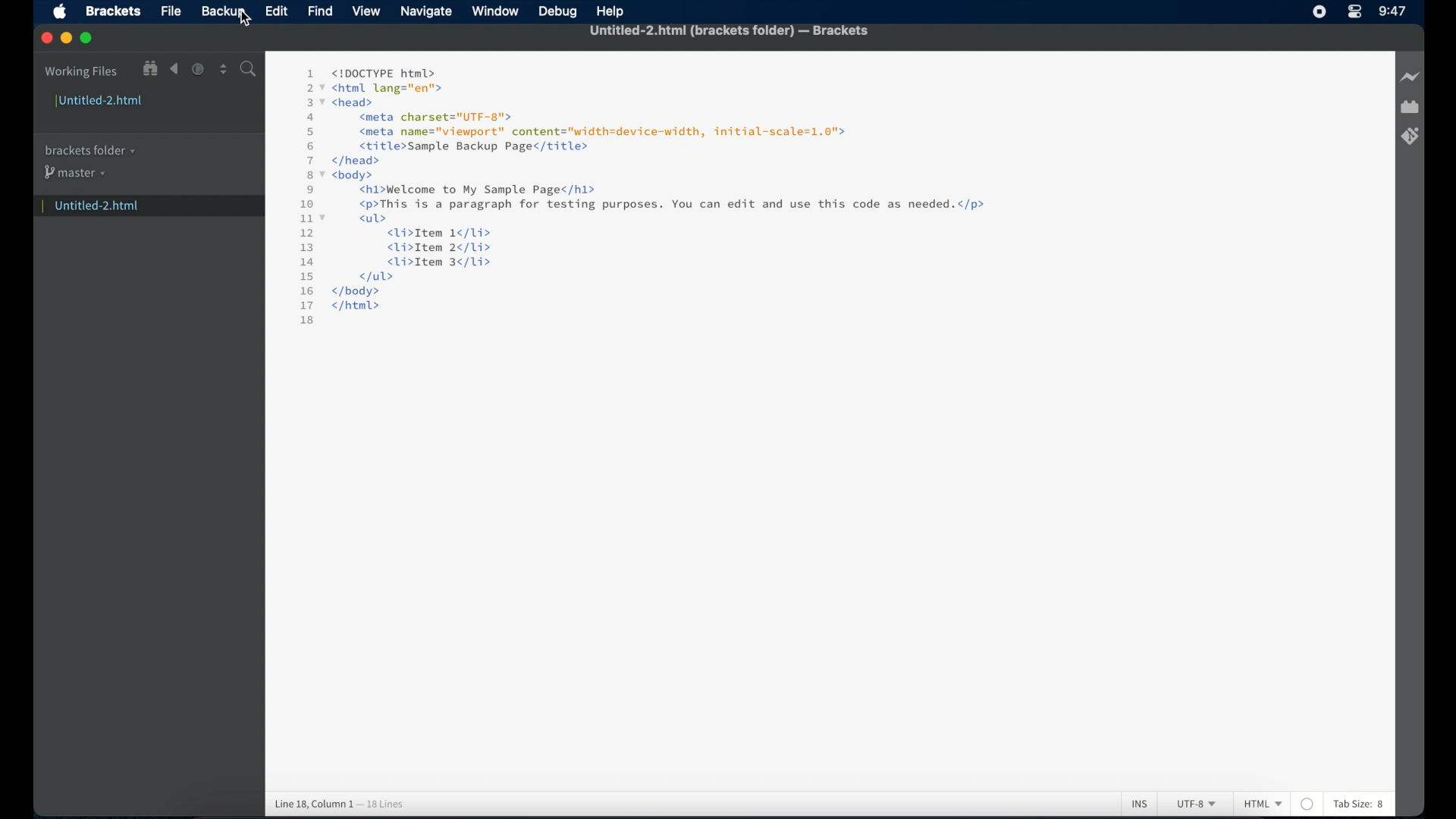  I want to click on line 18, column 1 - 18 lines, so click(339, 804).